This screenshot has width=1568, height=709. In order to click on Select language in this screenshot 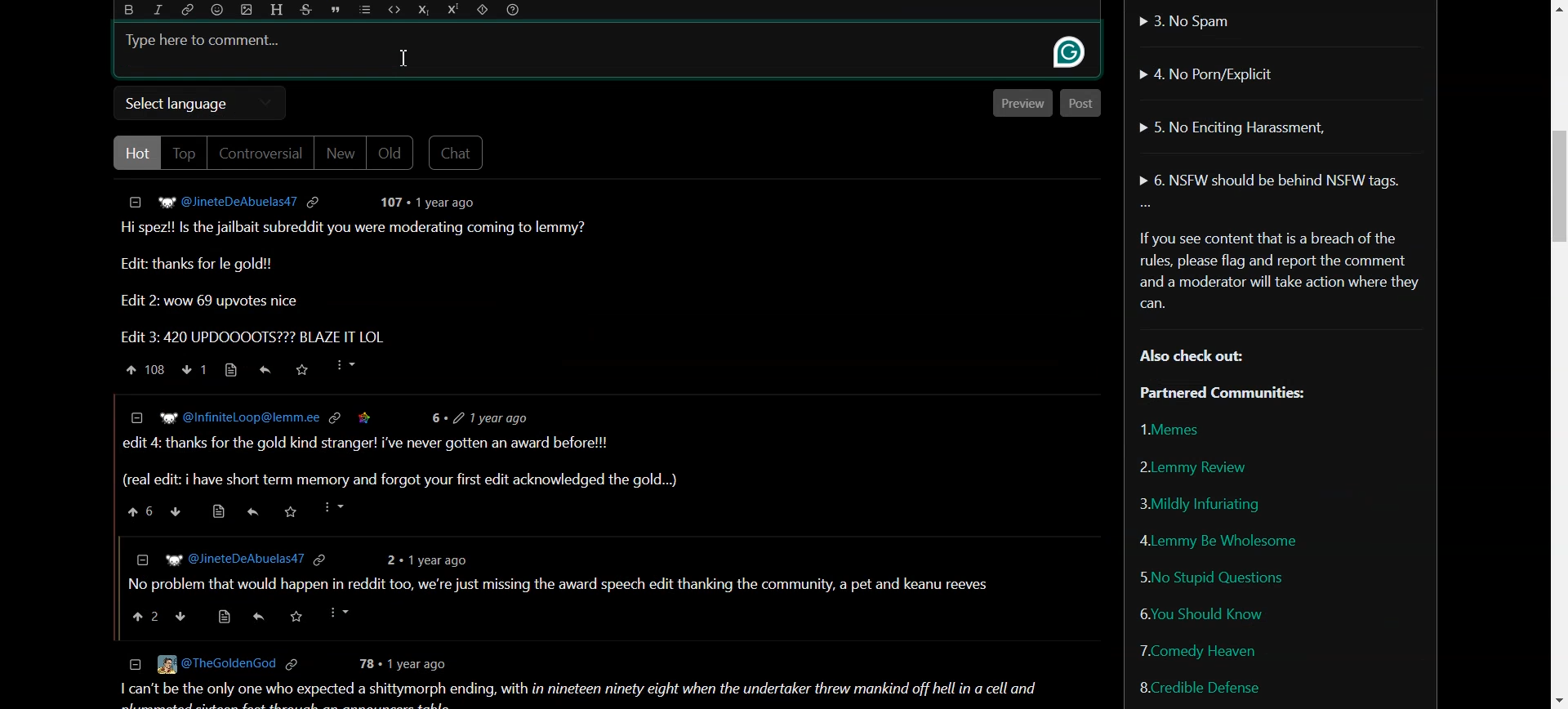, I will do `click(201, 103)`.